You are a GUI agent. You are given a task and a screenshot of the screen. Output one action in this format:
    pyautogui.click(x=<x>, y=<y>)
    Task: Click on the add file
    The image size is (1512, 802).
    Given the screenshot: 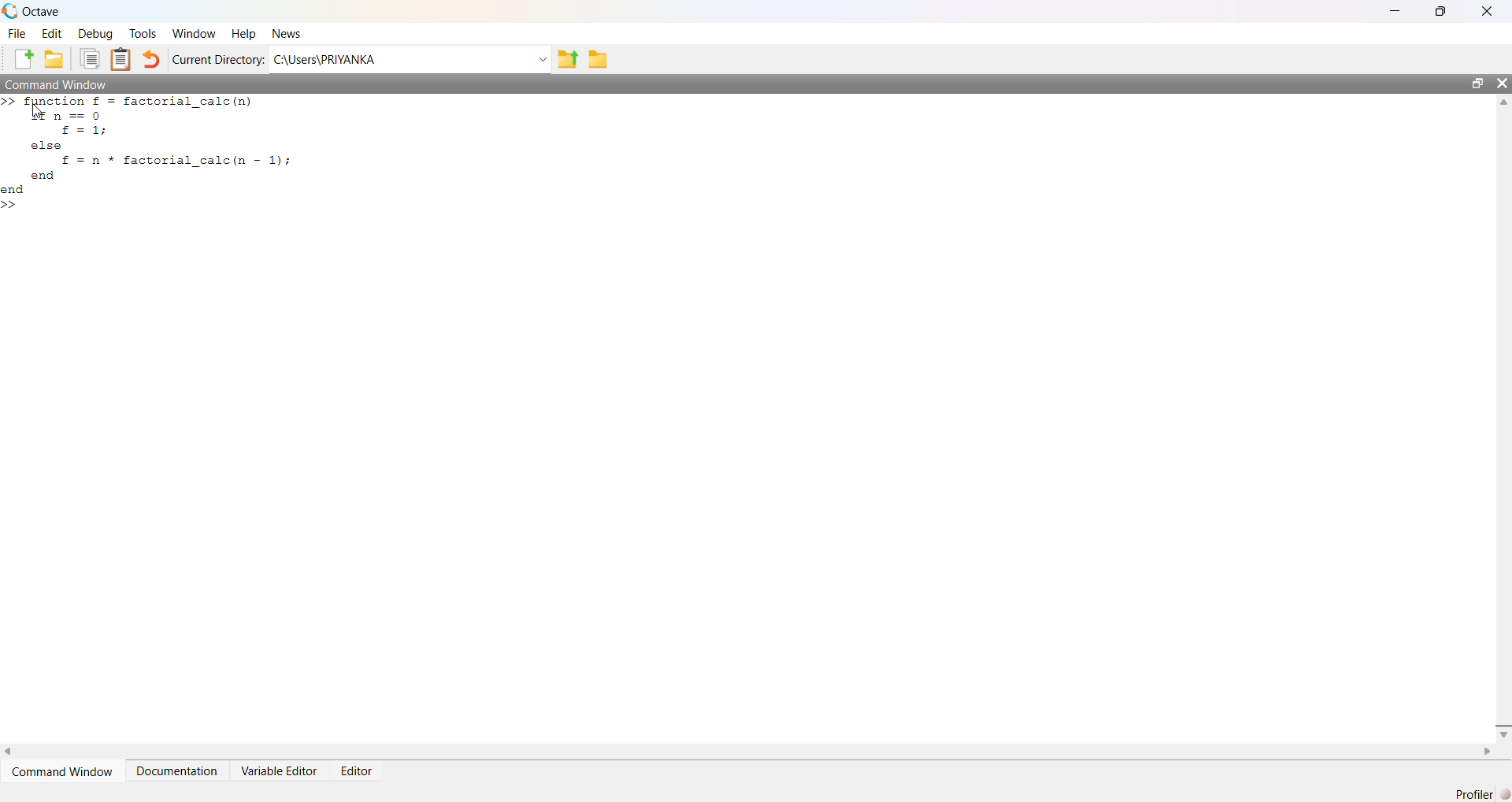 What is the action you would take?
    pyautogui.click(x=25, y=60)
    